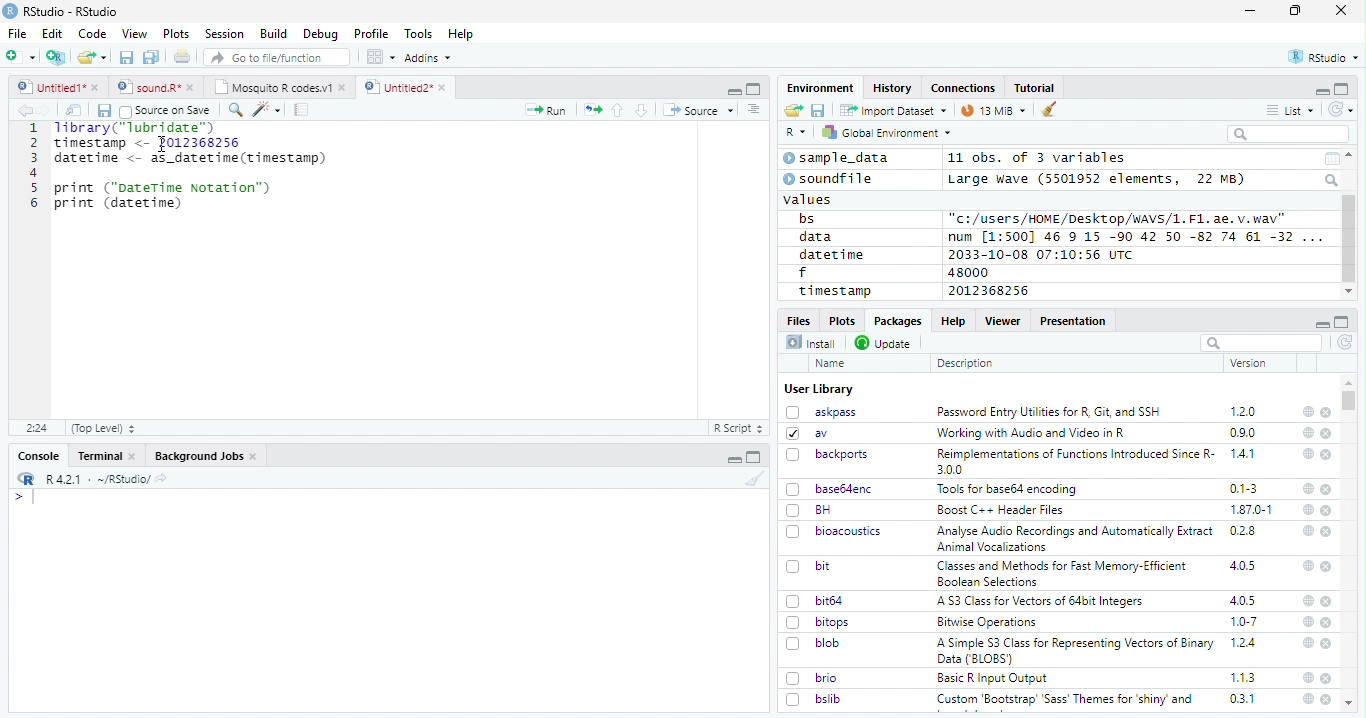 This screenshot has width=1366, height=718. Describe the element at coordinates (164, 196) in the screenshot. I see `print ("pateTime Notation")
print (datetime)` at that location.